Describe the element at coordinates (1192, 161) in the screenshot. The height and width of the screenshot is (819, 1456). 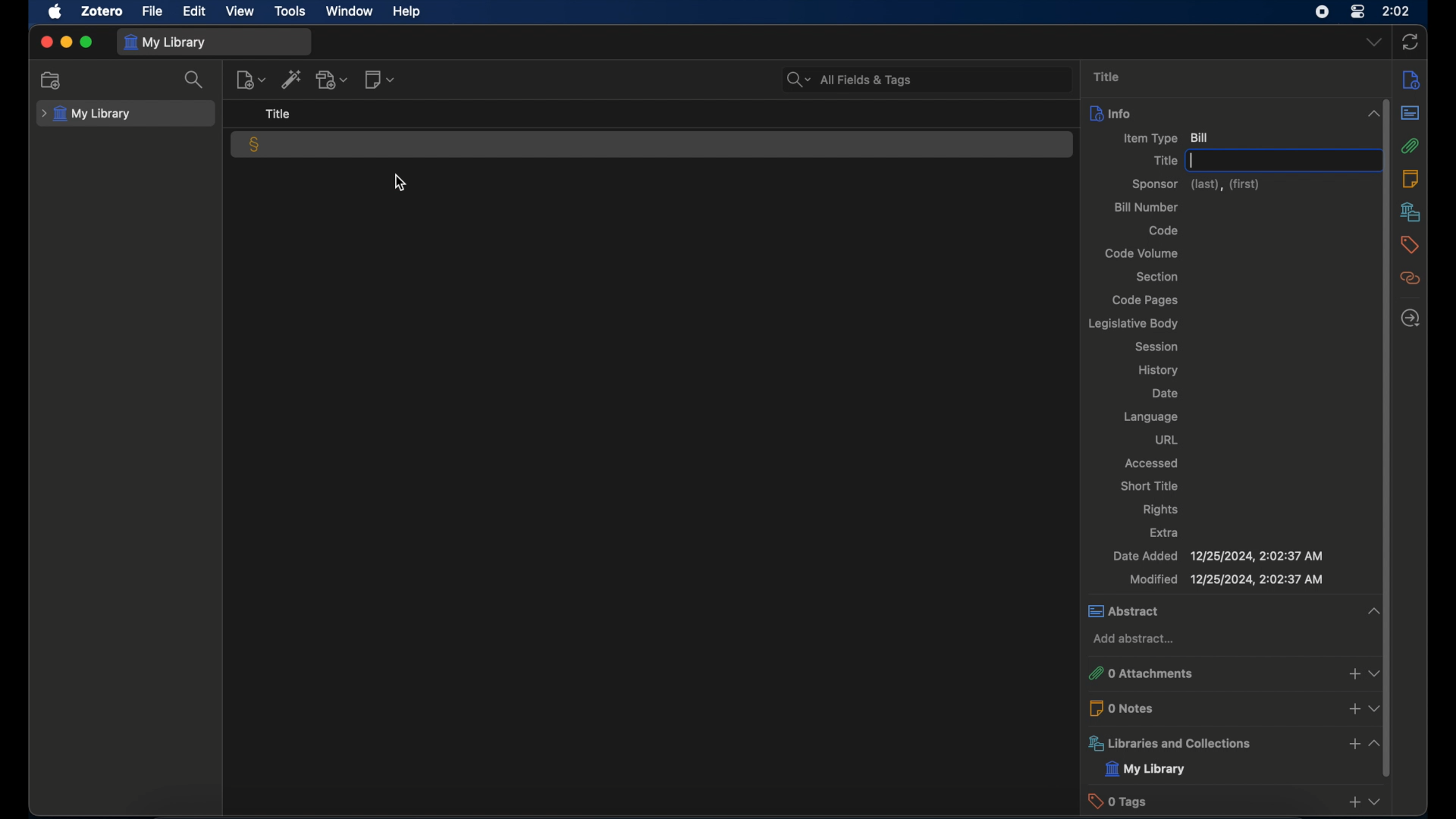
I see `text cursor` at that location.